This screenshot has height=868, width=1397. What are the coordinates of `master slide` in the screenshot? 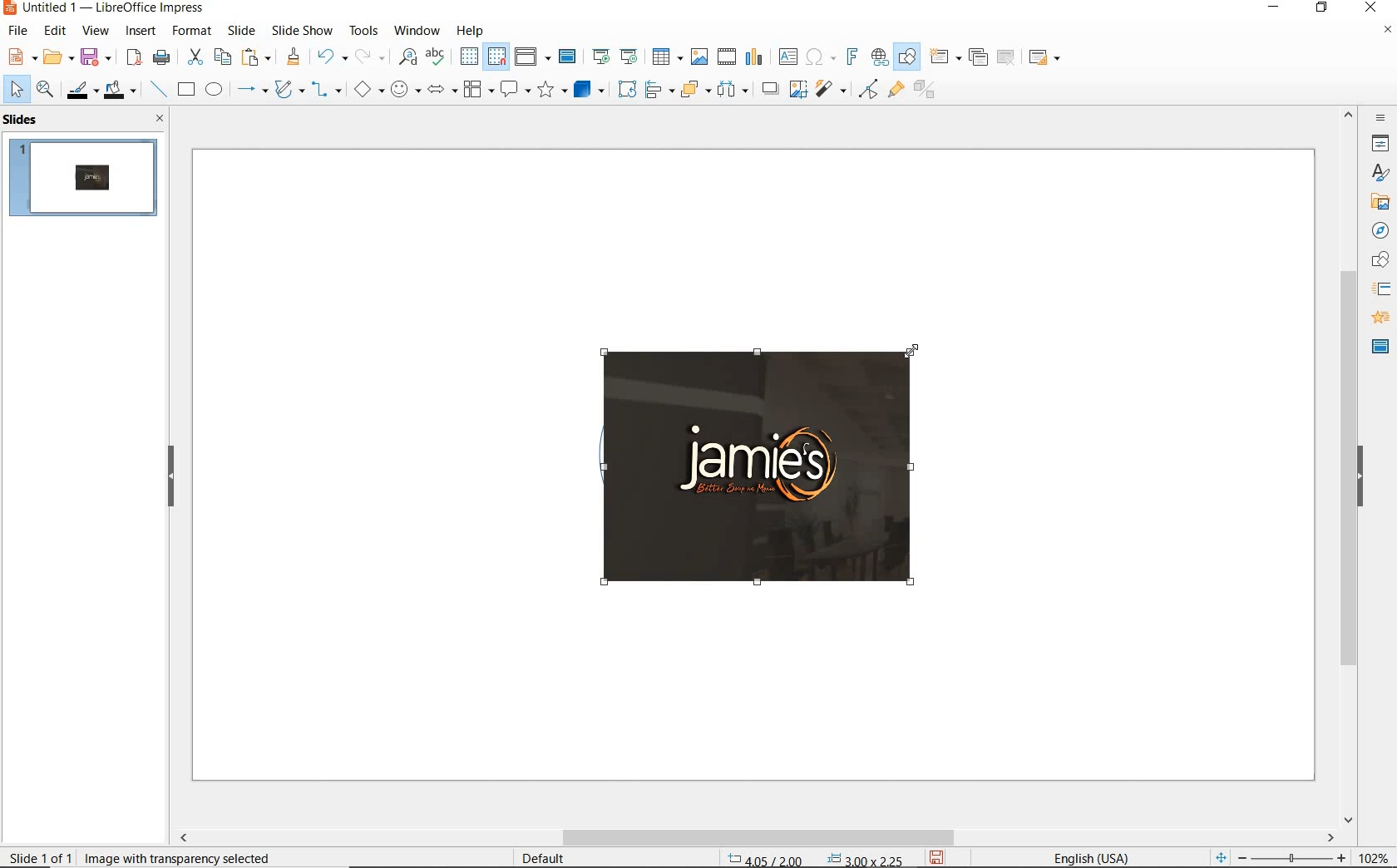 It's located at (570, 57).